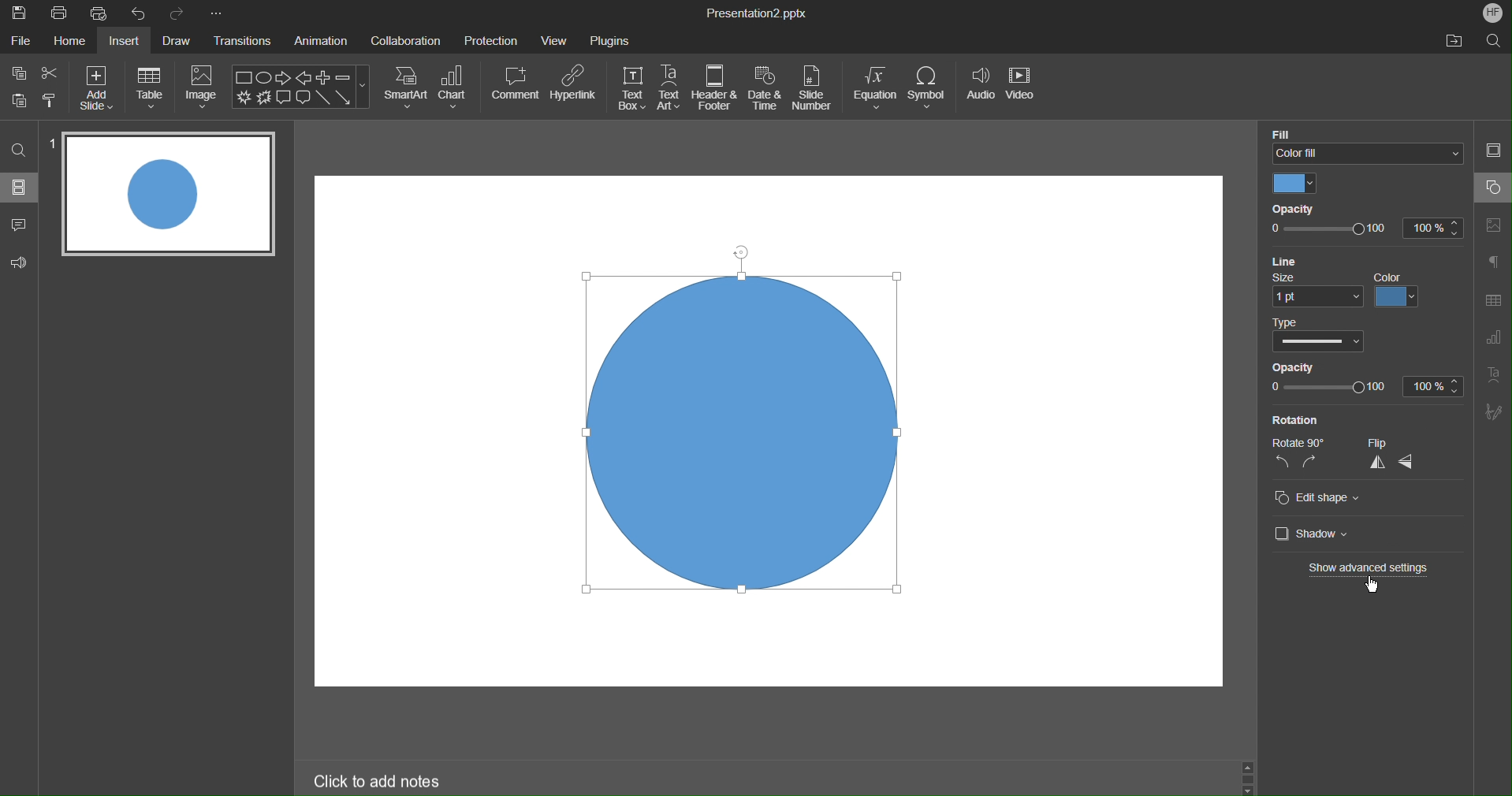 Image resolution: width=1512 pixels, height=796 pixels. What do you see at coordinates (68, 42) in the screenshot?
I see `Home` at bounding box center [68, 42].